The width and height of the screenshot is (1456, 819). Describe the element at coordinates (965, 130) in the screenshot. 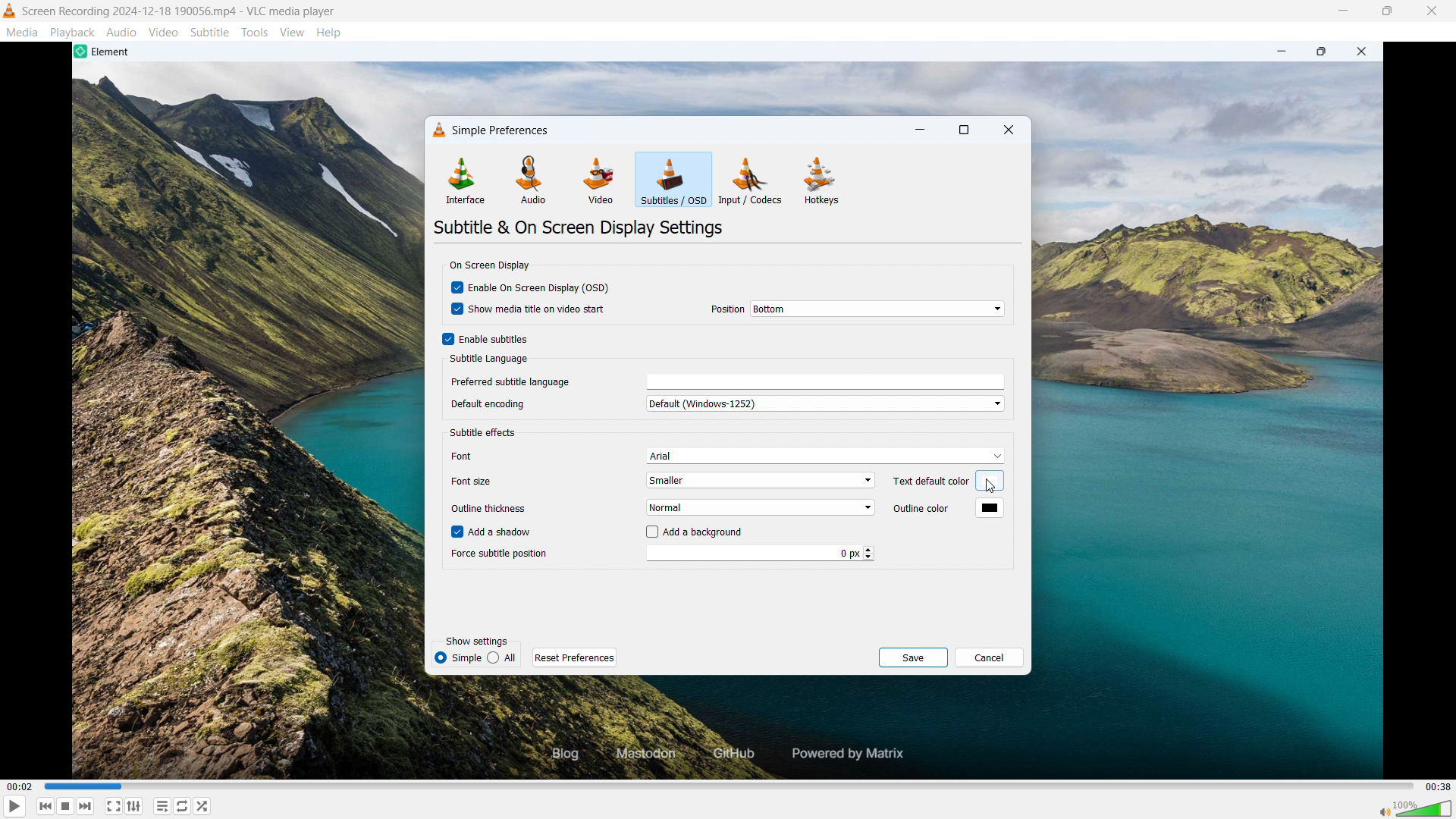

I see `Maximise dialogue box ` at that location.